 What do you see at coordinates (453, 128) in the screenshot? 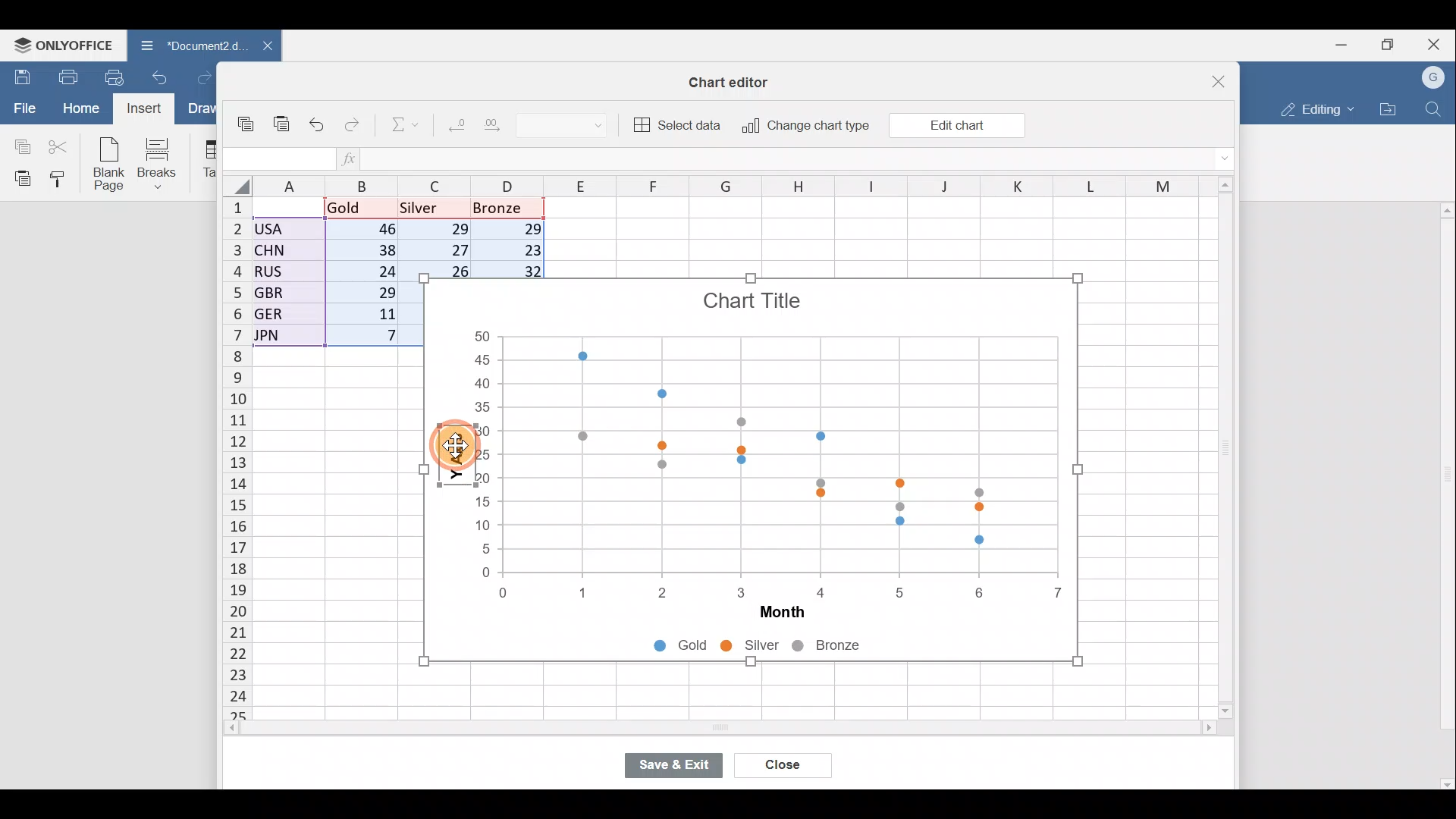
I see `Decrease decimal` at bounding box center [453, 128].